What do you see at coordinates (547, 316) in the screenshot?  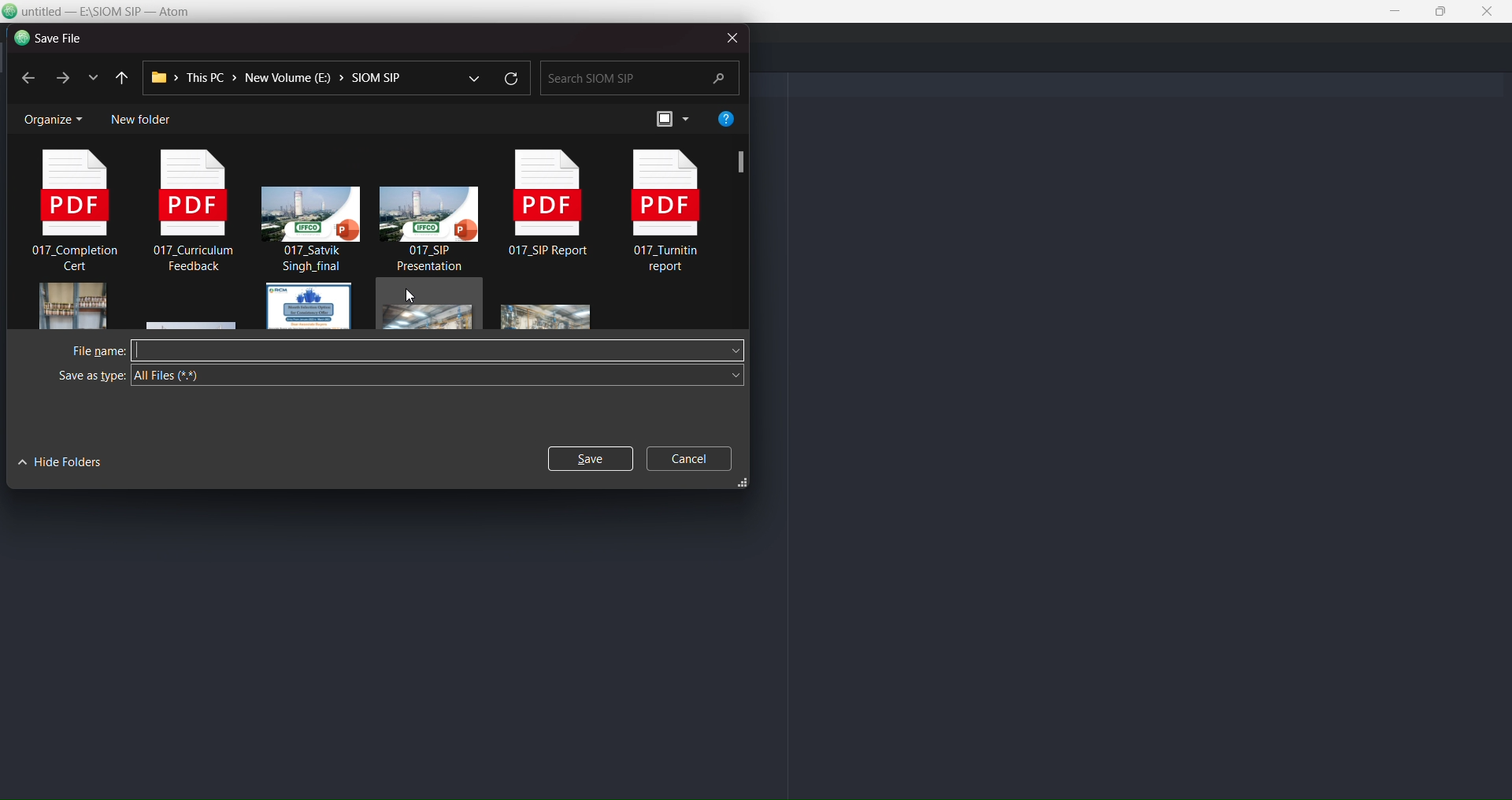 I see `image` at bounding box center [547, 316].